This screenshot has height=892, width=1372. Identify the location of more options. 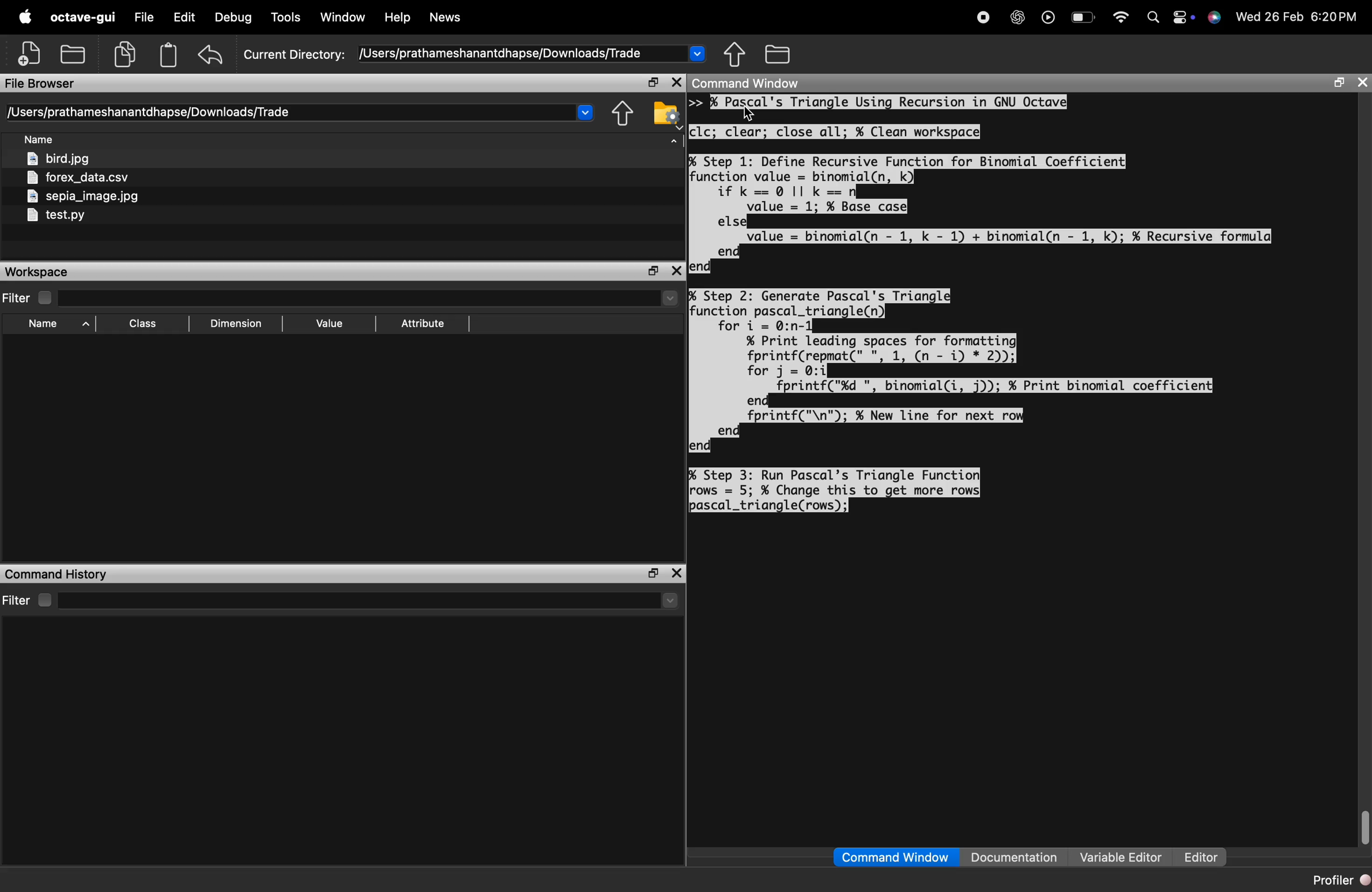
(1183, 16).